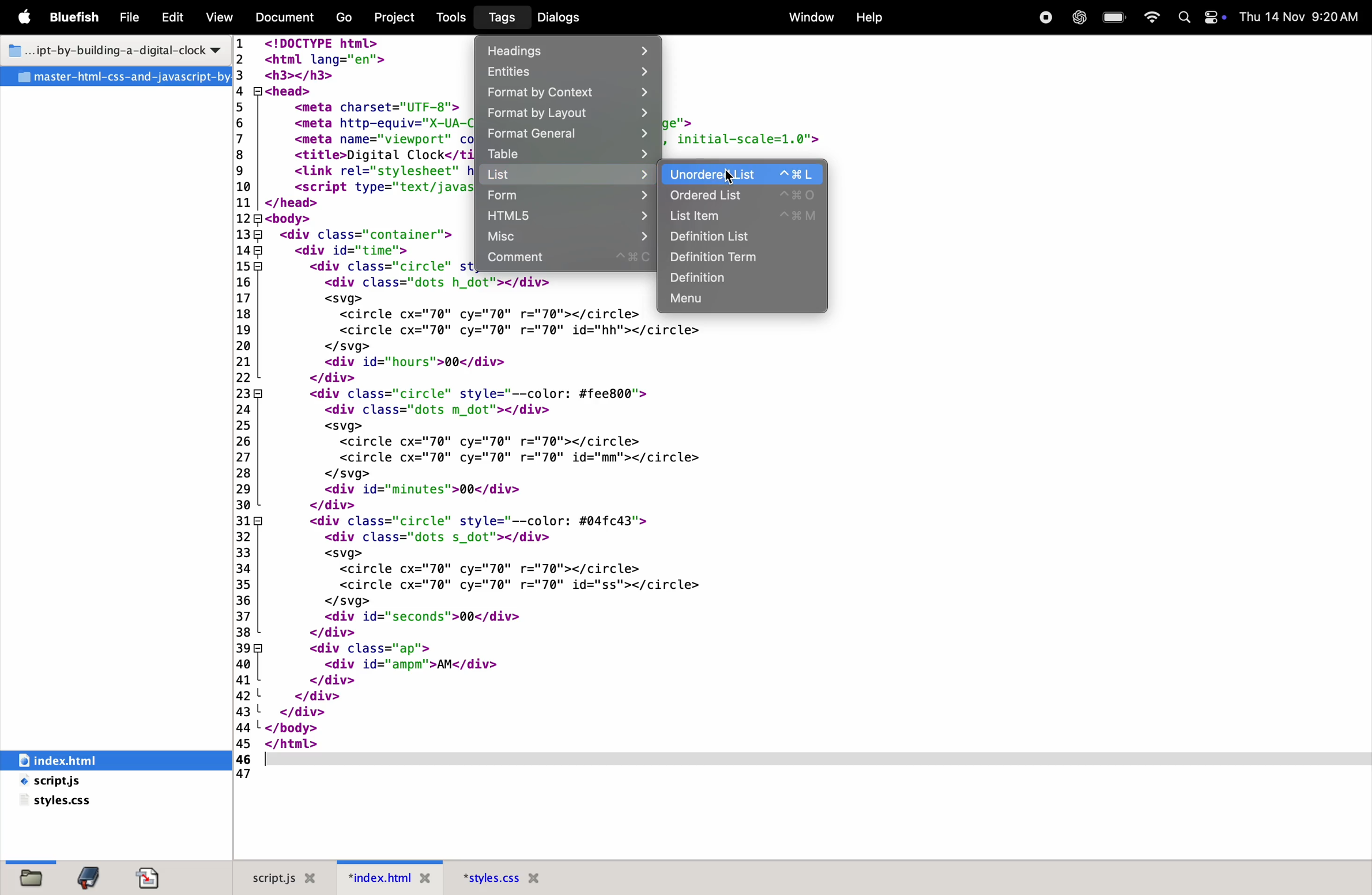 This screenshot has height=895, width=1372. What do you see at coordinates (499, 17) in the screenshot?
I see `Tags` at bounding box center [499, 17].